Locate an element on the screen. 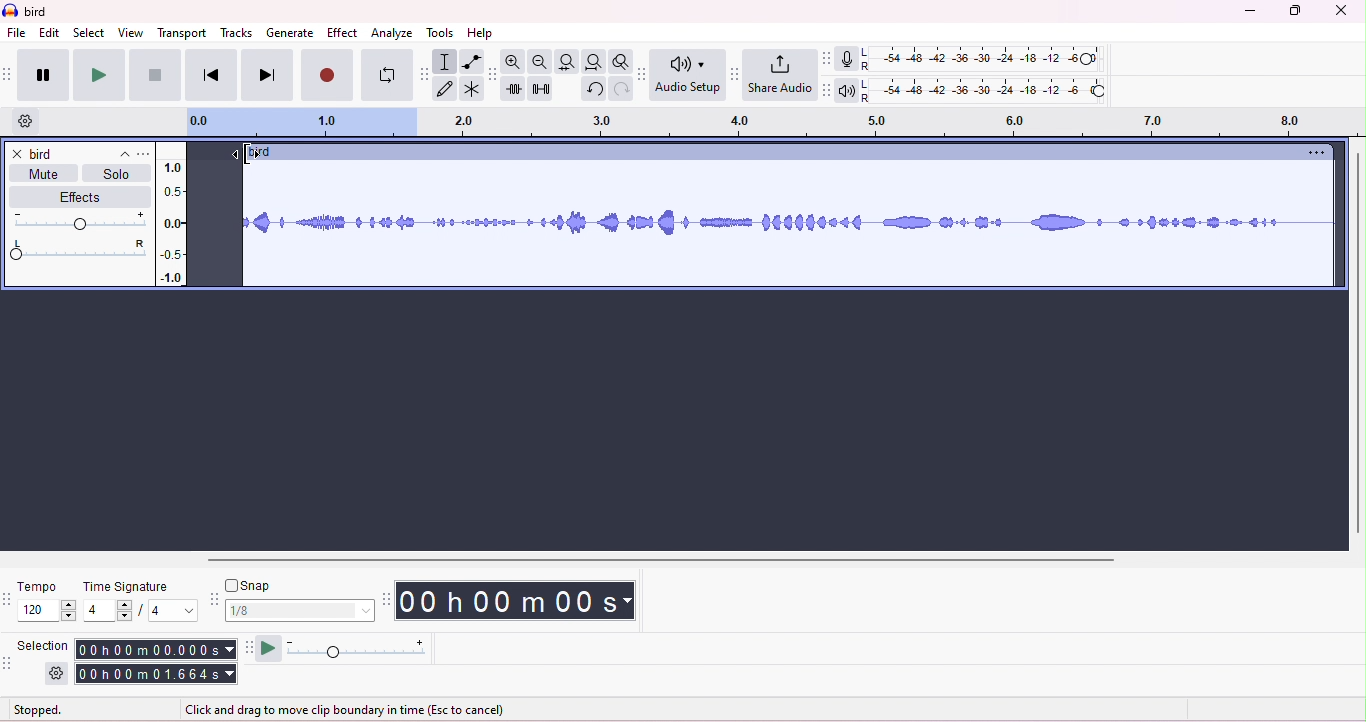  cursor position is located at coordinates (242, 153).